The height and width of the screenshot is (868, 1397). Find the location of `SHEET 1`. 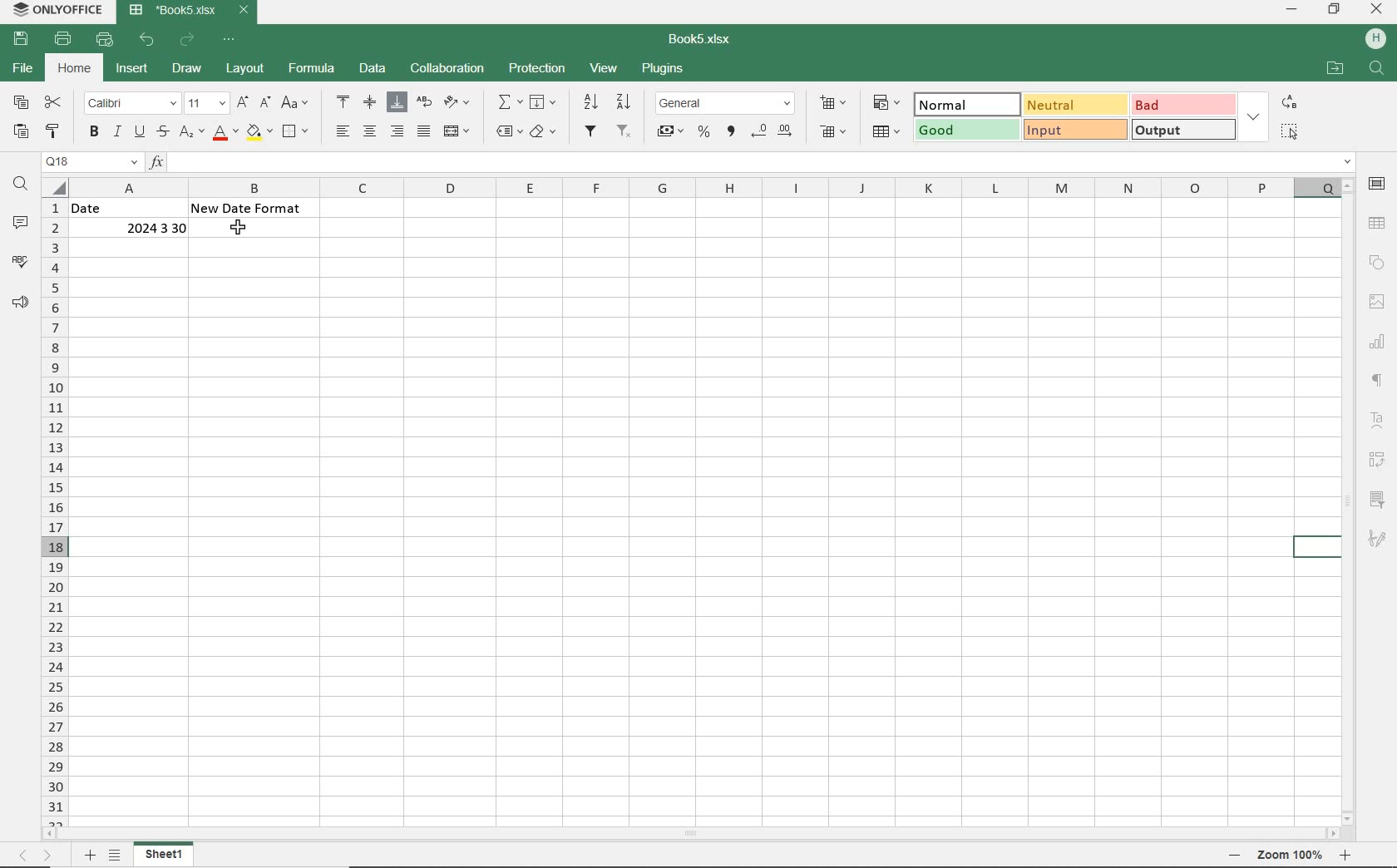

SHEET 1 is located at coordinates (165, 854).